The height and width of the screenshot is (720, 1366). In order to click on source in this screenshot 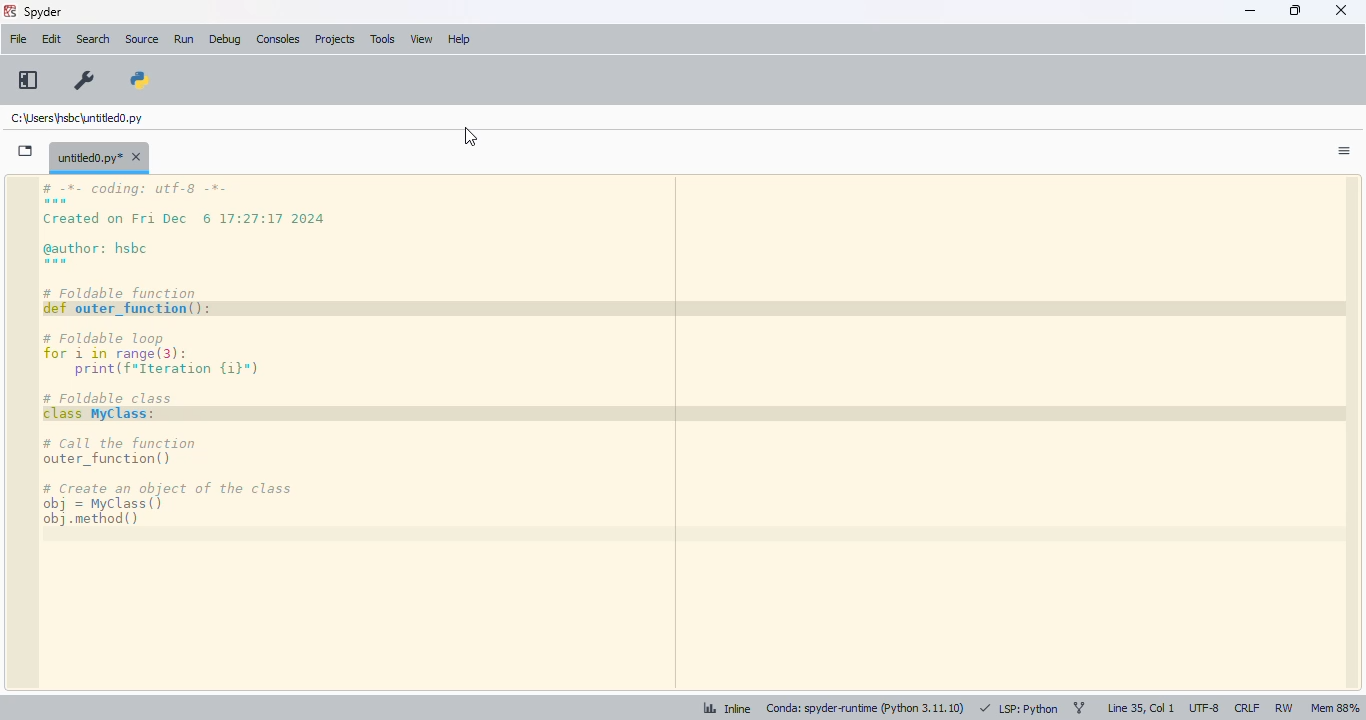, I will do `click(142, 40)`.